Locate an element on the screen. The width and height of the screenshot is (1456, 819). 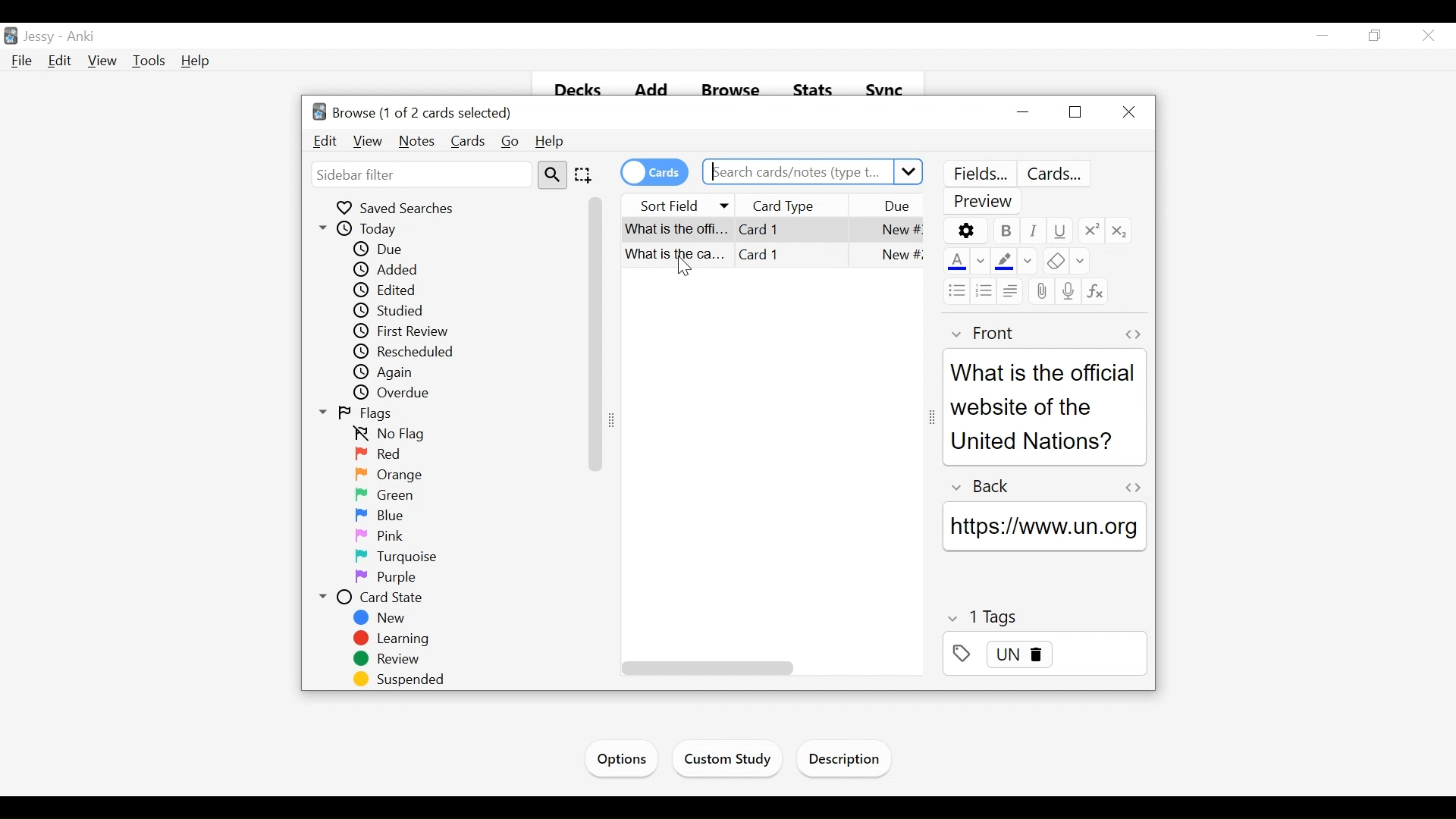
Underline is located at coordinates (1059, 231).